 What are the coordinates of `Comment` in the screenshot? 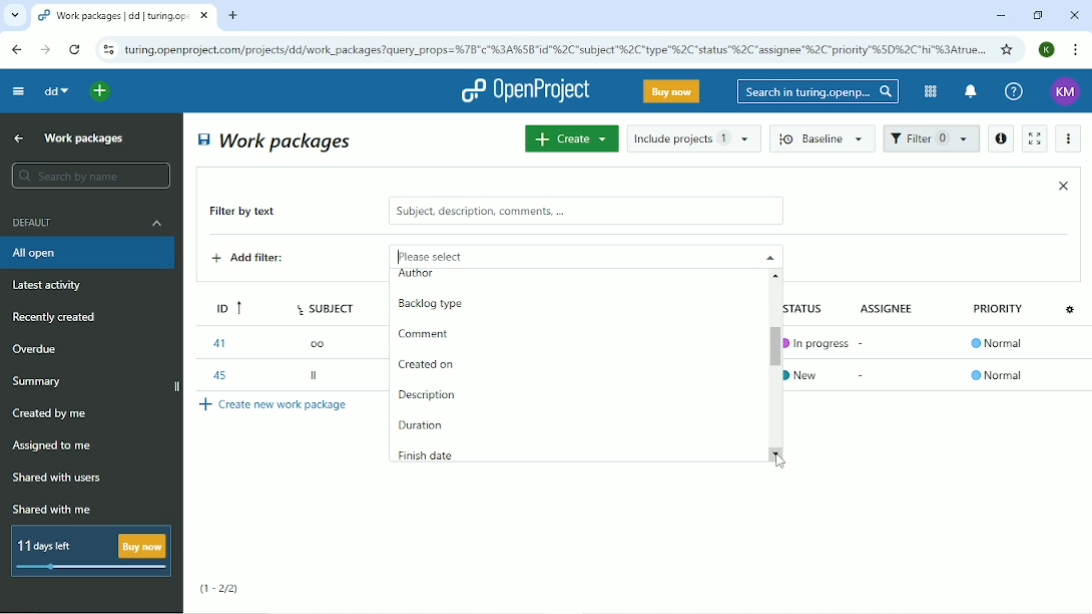 It's located at (424, 334).